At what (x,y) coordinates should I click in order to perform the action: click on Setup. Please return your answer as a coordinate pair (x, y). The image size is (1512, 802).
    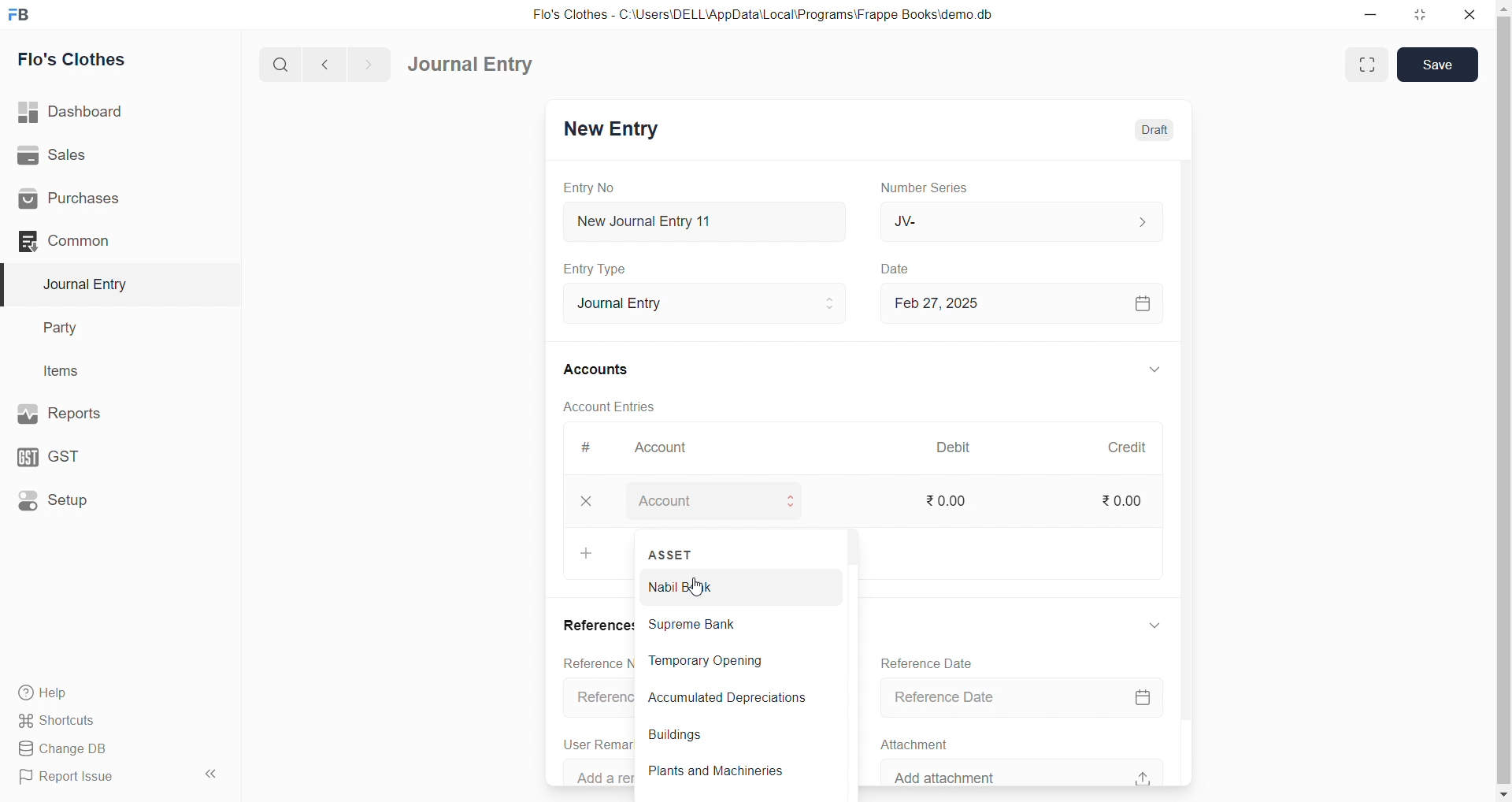
    Looking at the image, I should click on (91, 503).